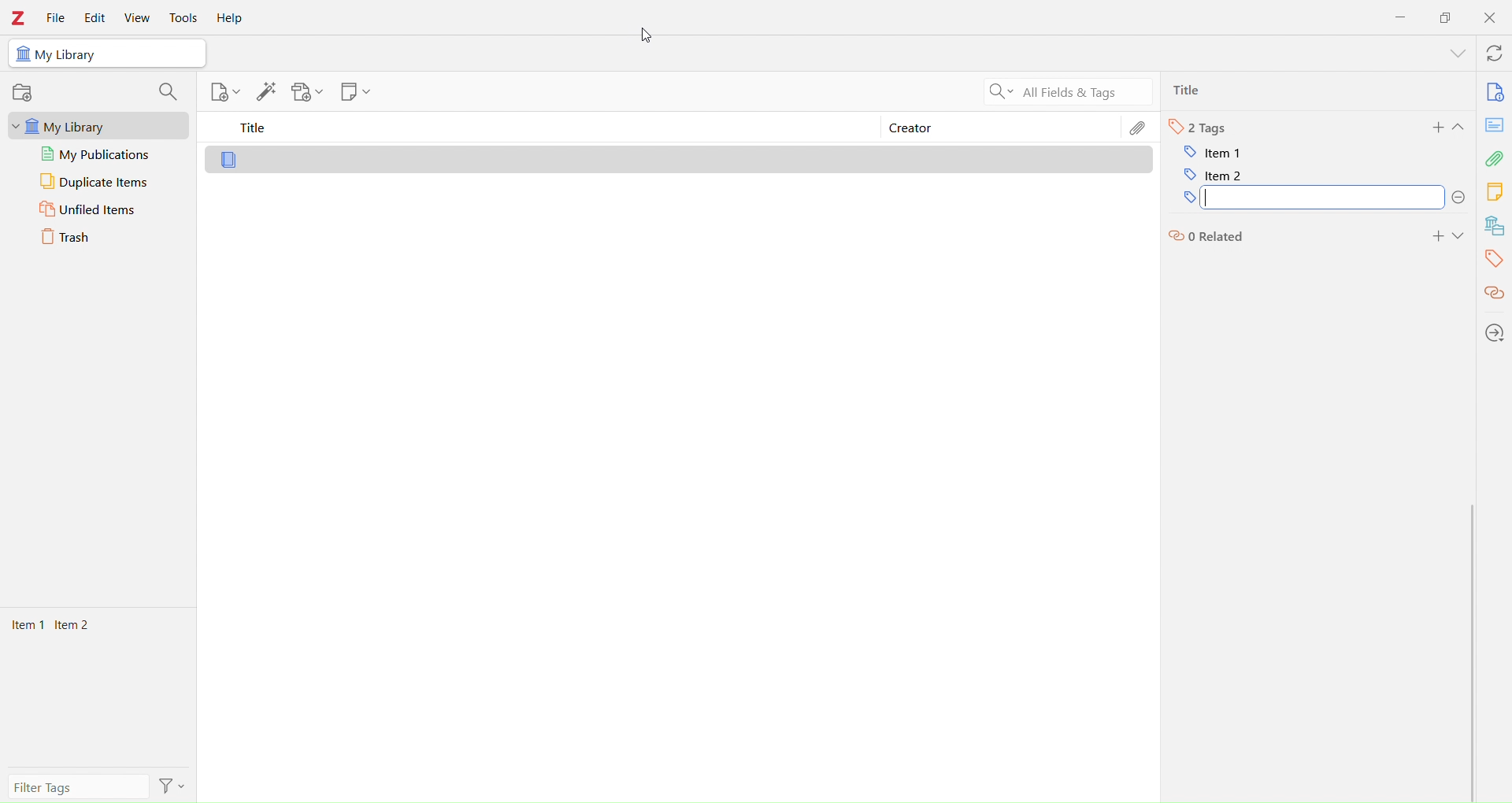  Describe the element at coordinates (1214, 197) in the screenshot. I see `tags` at that location.